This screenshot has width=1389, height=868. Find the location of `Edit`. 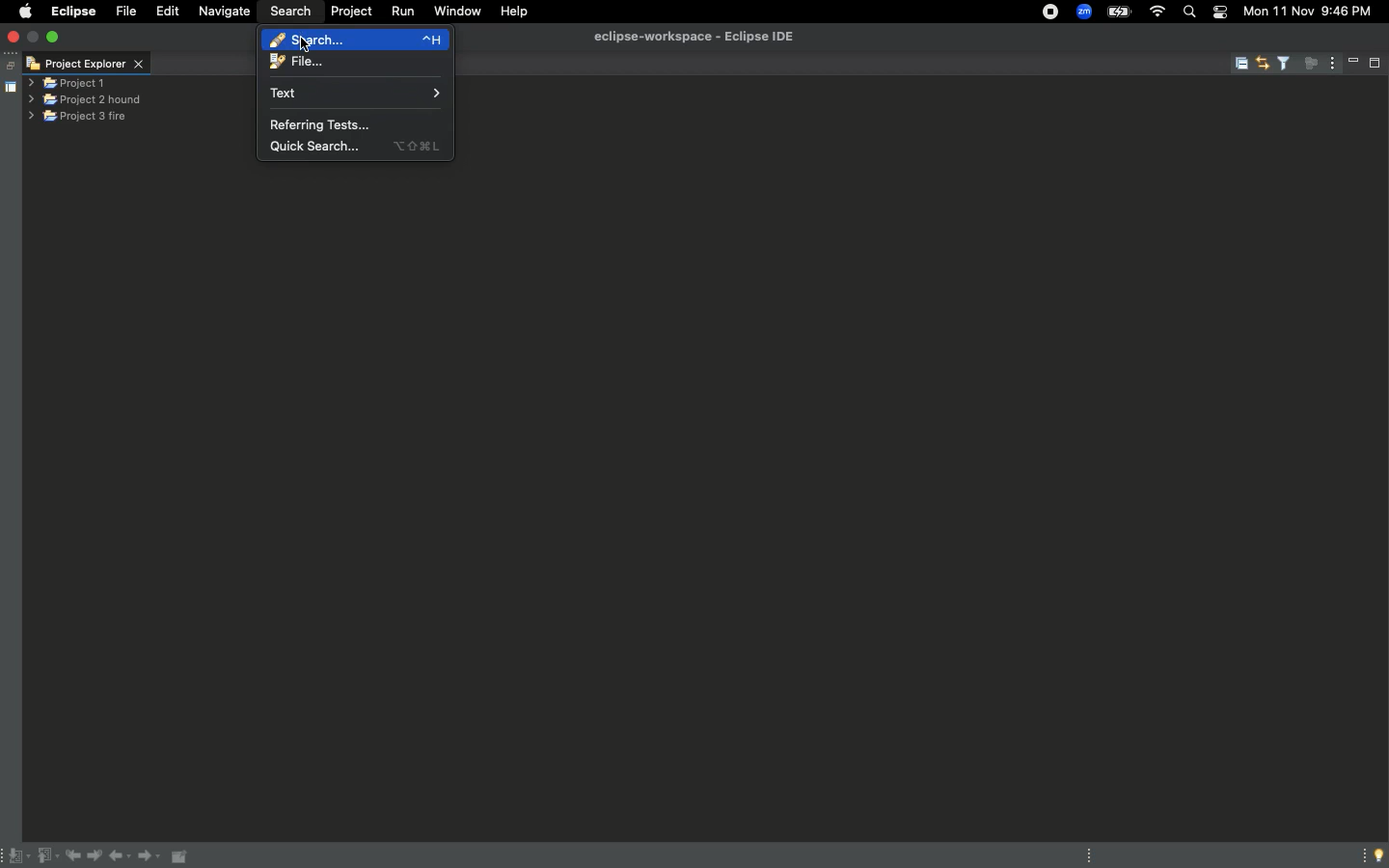

Edit is located at coordinates (172, 14).